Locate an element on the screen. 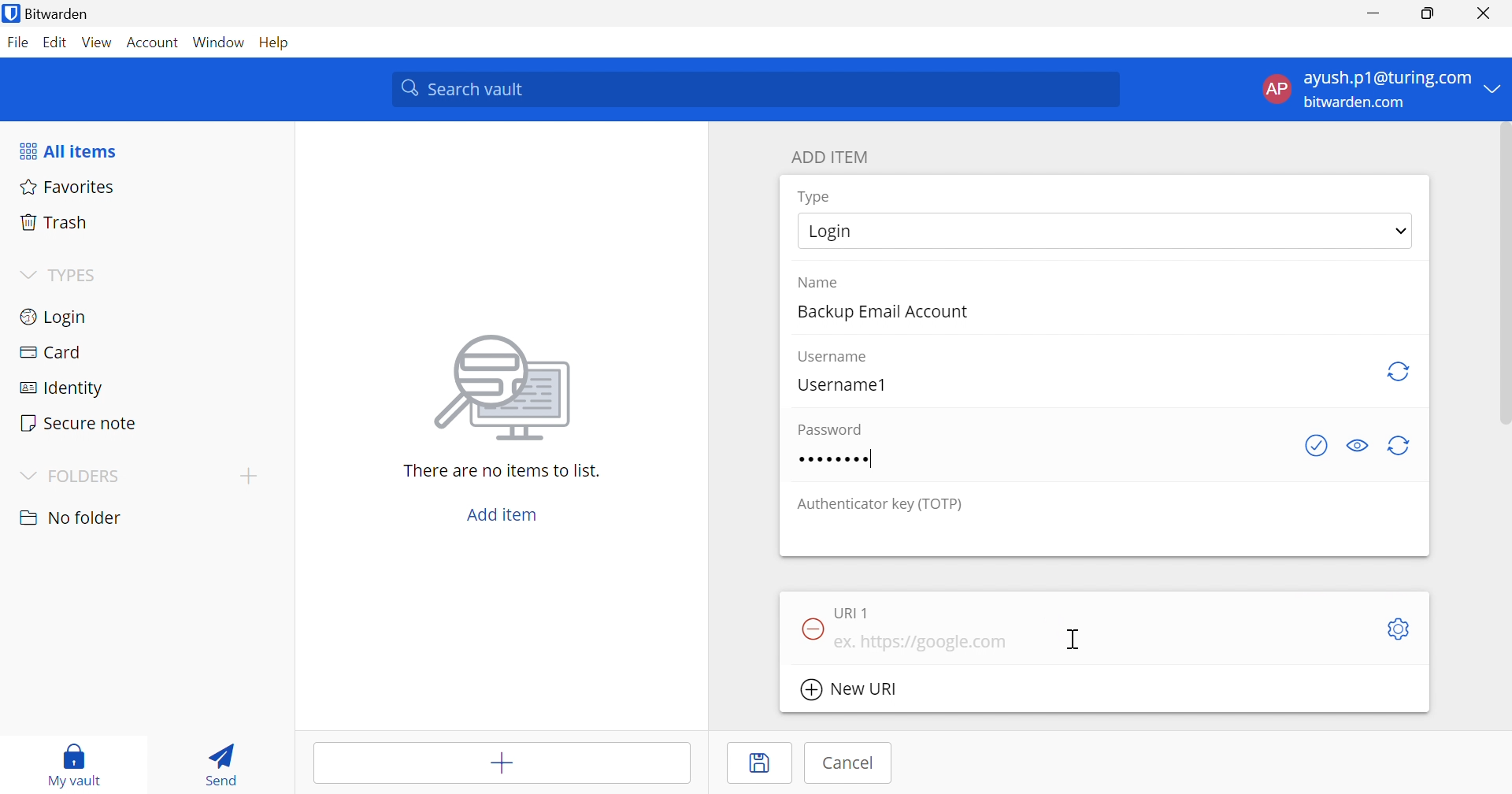 The image size is (1512, 794). Type is located at coordinates (816, 198).